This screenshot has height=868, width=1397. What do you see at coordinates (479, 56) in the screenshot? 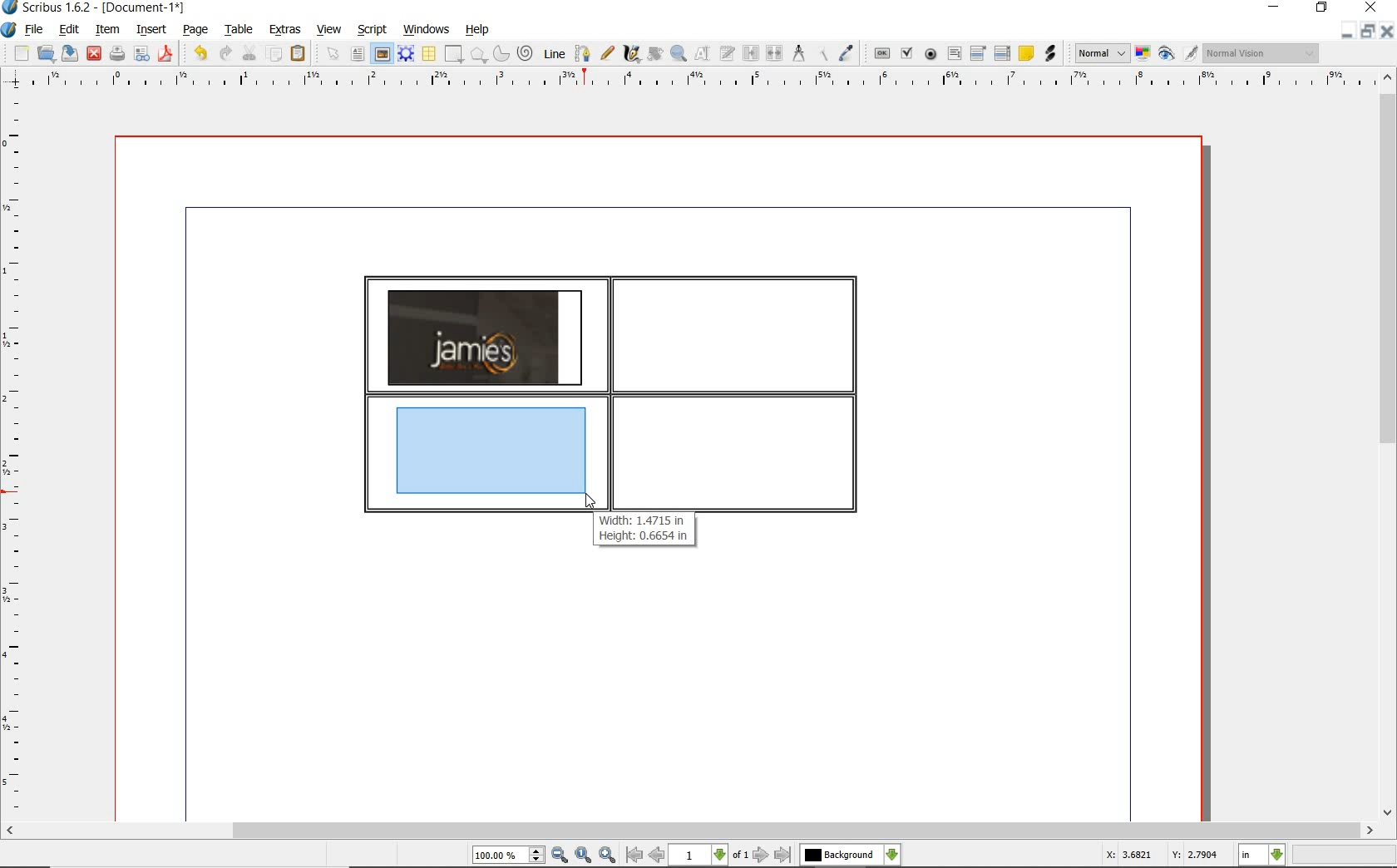
I see `shape` at bounding box center [479, 56].